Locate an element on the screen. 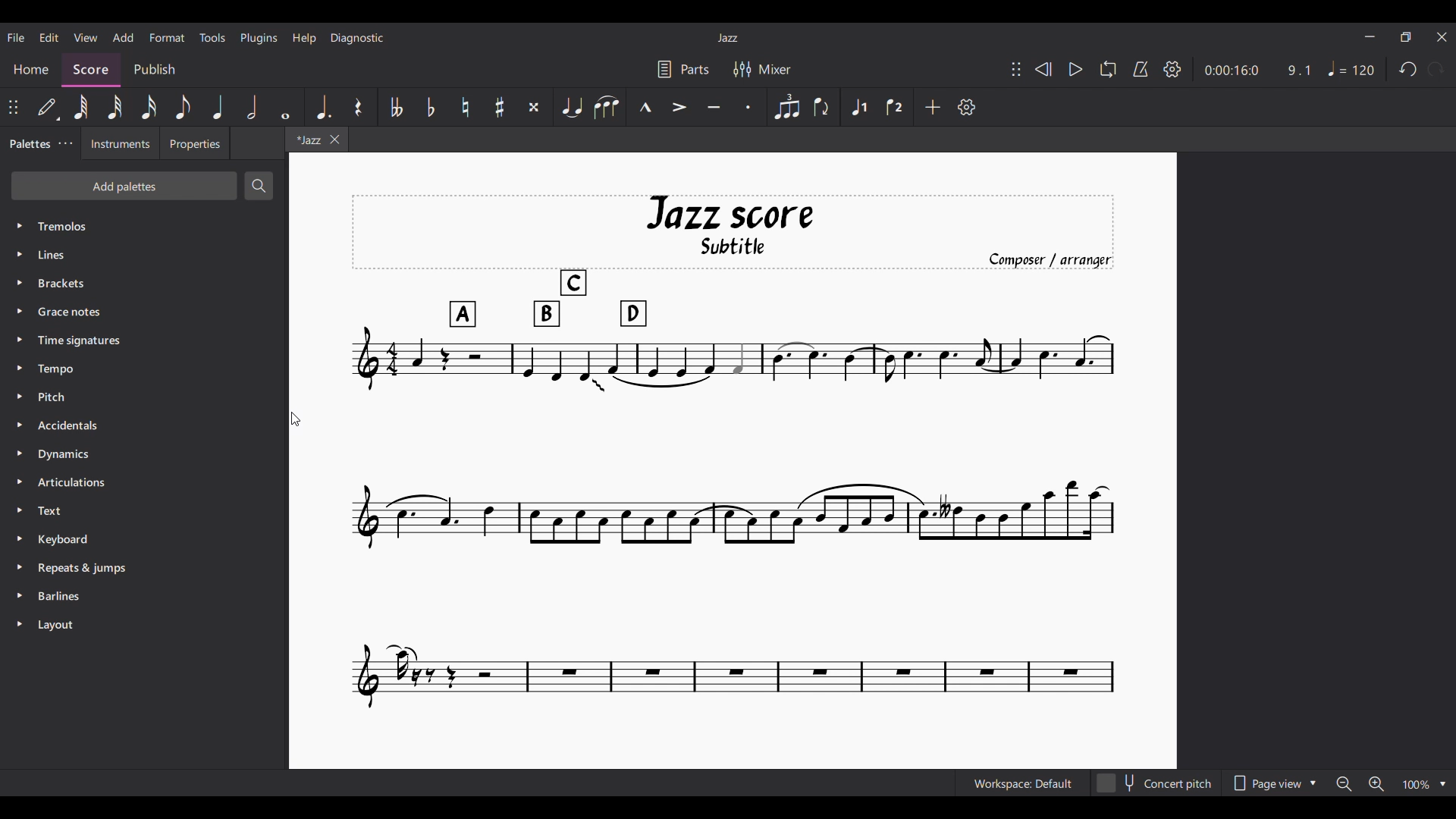 This screenshot has height=819, width=1456. Current score is located at coordinates (497, 521).